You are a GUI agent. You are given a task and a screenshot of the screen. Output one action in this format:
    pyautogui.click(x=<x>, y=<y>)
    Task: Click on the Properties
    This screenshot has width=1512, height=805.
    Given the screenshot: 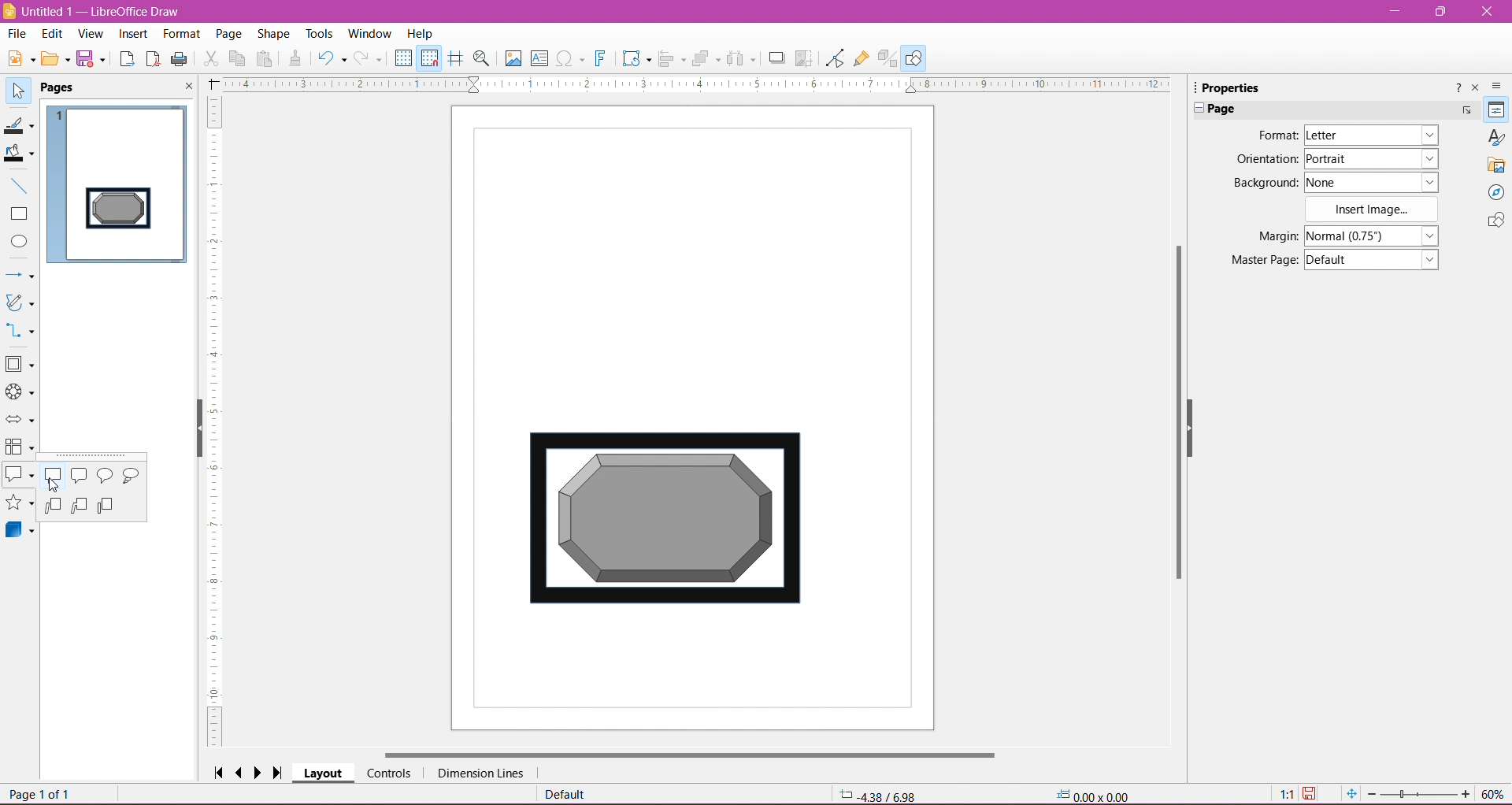 What is the action you would take?
    pyautogui.click(x=1237, y=87)
    